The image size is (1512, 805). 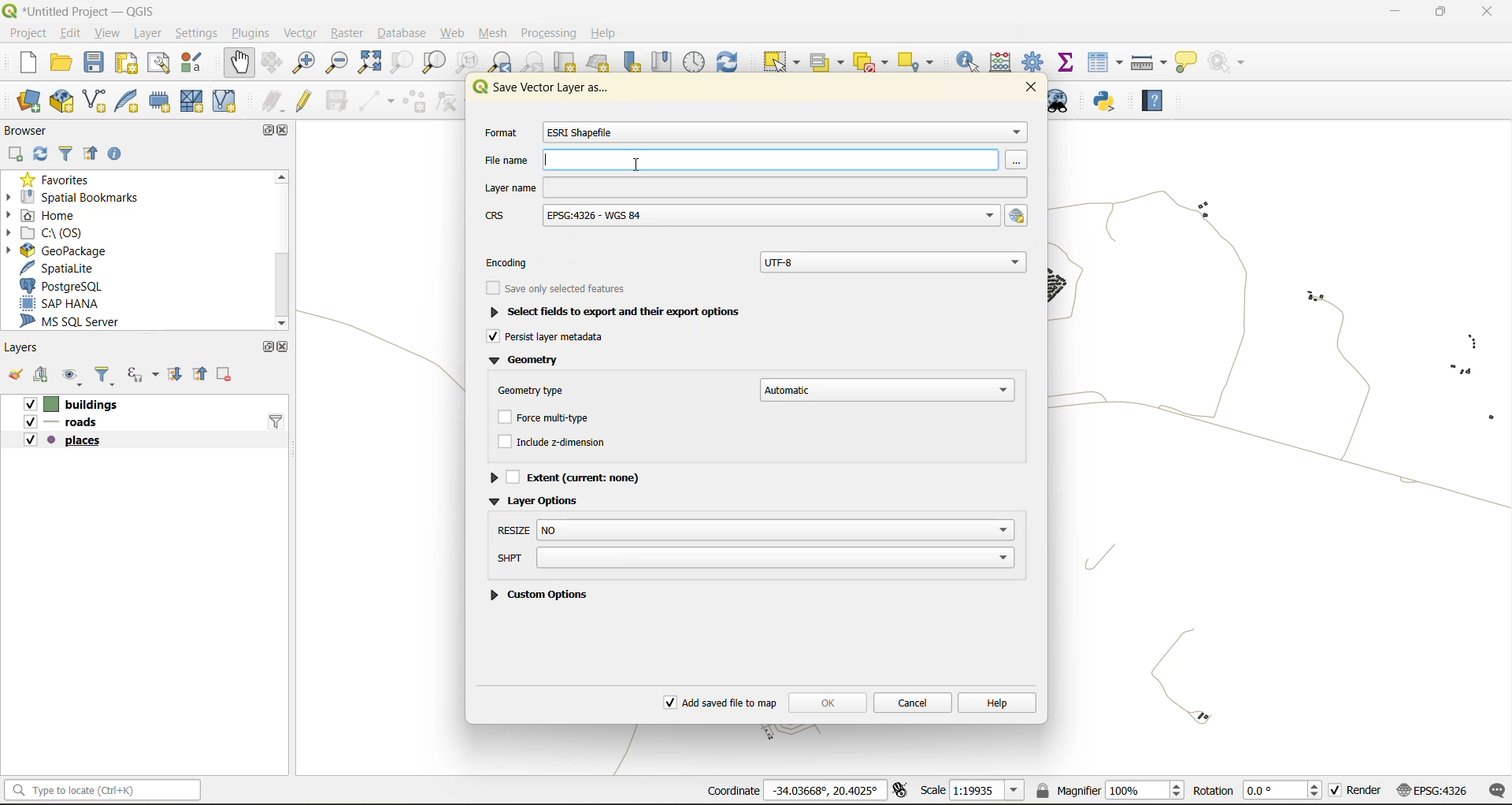 What do you see at coordinates (16, 376) in the screenshot?
I see `open` at bounding box center [16, 376].